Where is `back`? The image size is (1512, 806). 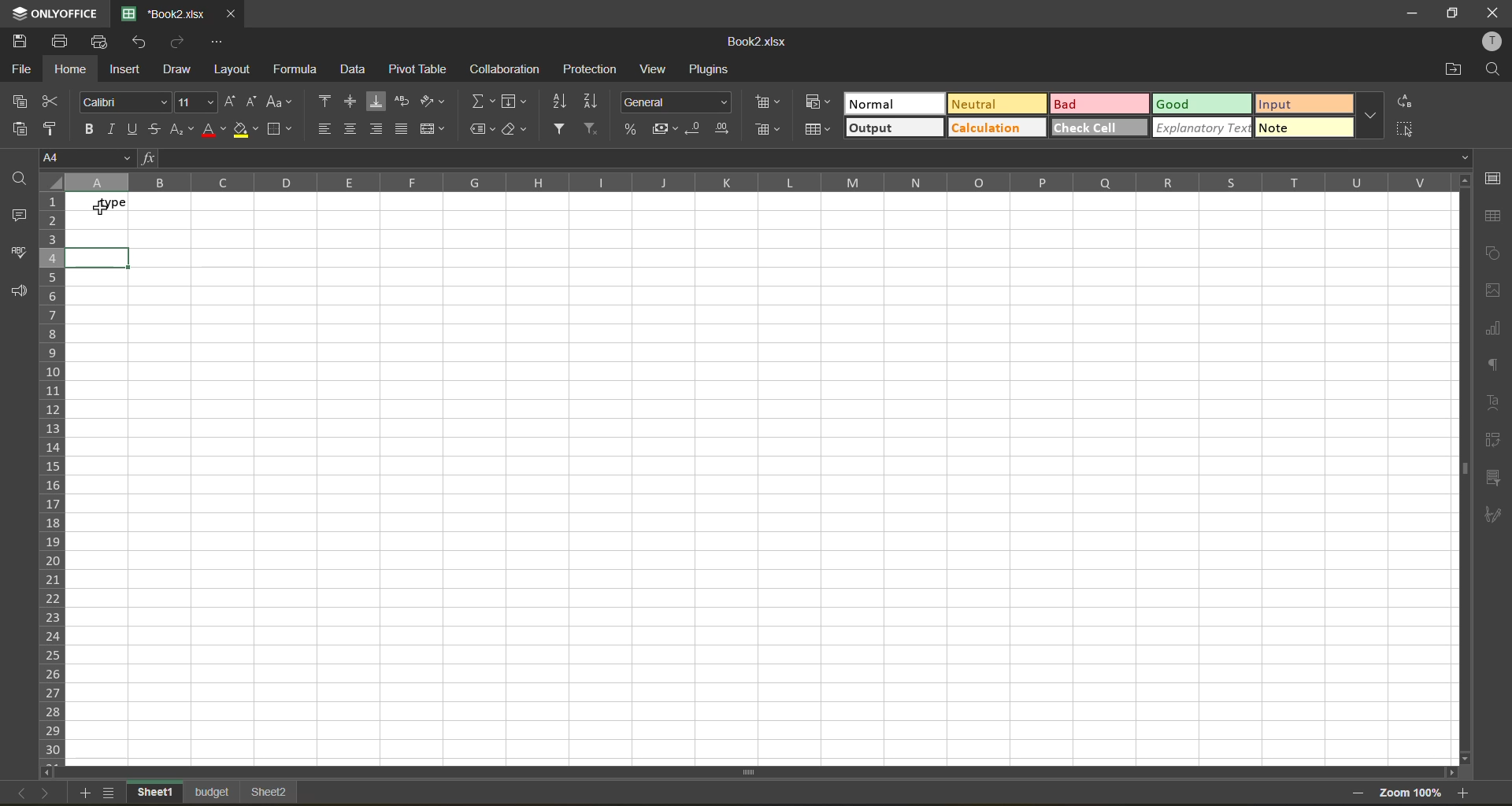 back is located at coordinates (17, 793).